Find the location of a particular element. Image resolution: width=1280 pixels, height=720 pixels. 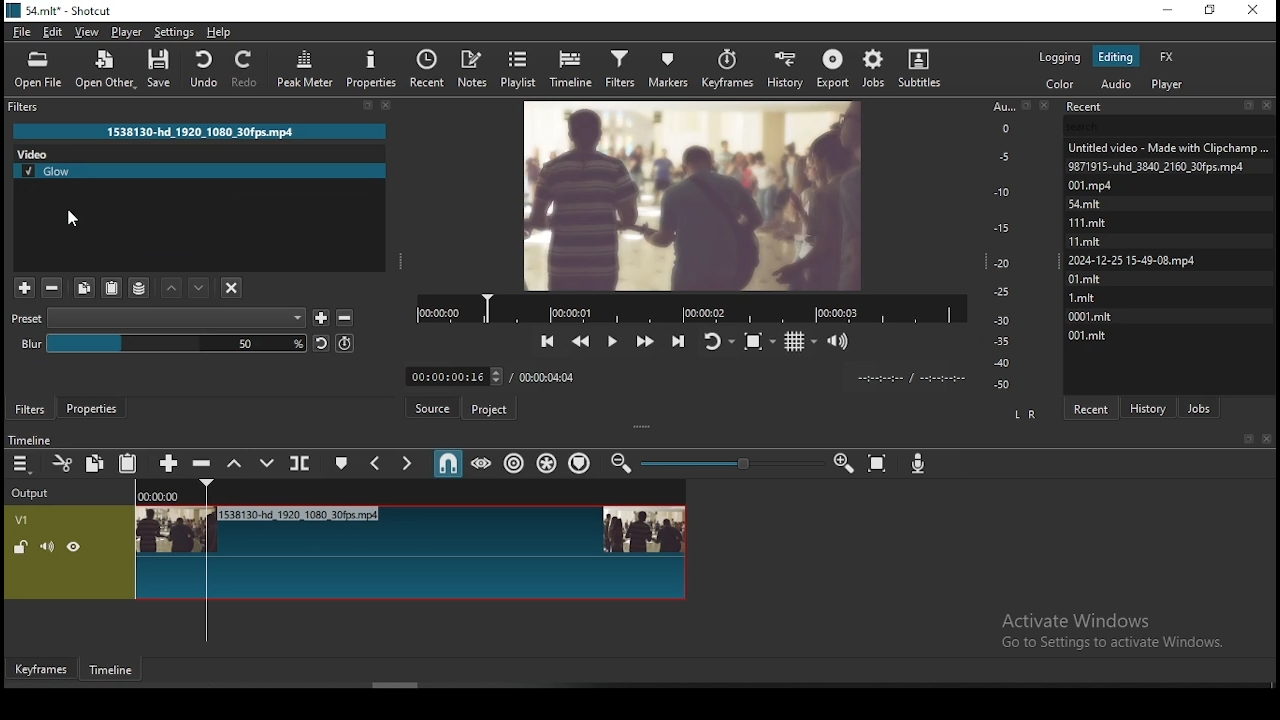

audio is located at coordinates (1115, 84).